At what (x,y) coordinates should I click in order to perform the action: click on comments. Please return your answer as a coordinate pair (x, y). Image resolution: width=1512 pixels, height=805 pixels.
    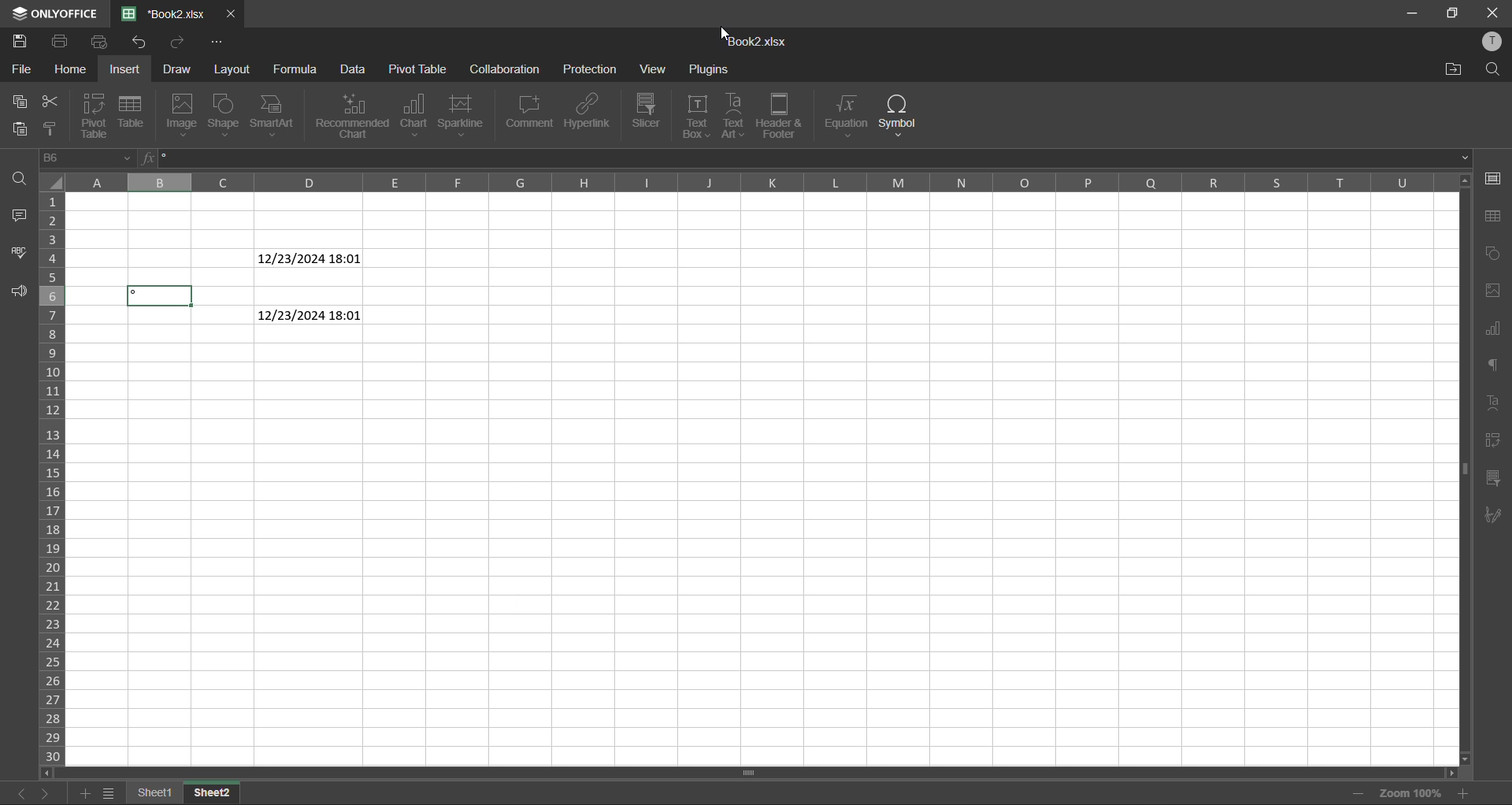
    Looking at the image, I should click on (25, 217).